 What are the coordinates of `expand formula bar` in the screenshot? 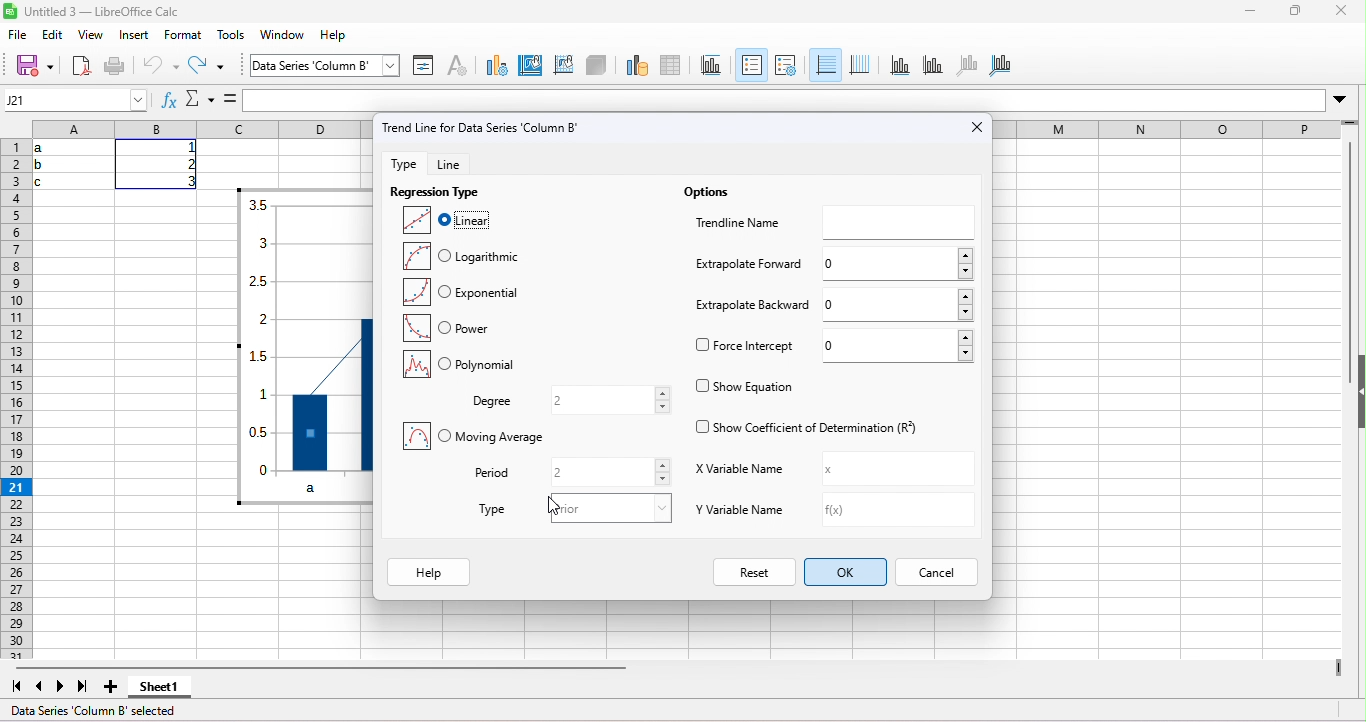 It's located at (1346, 98).